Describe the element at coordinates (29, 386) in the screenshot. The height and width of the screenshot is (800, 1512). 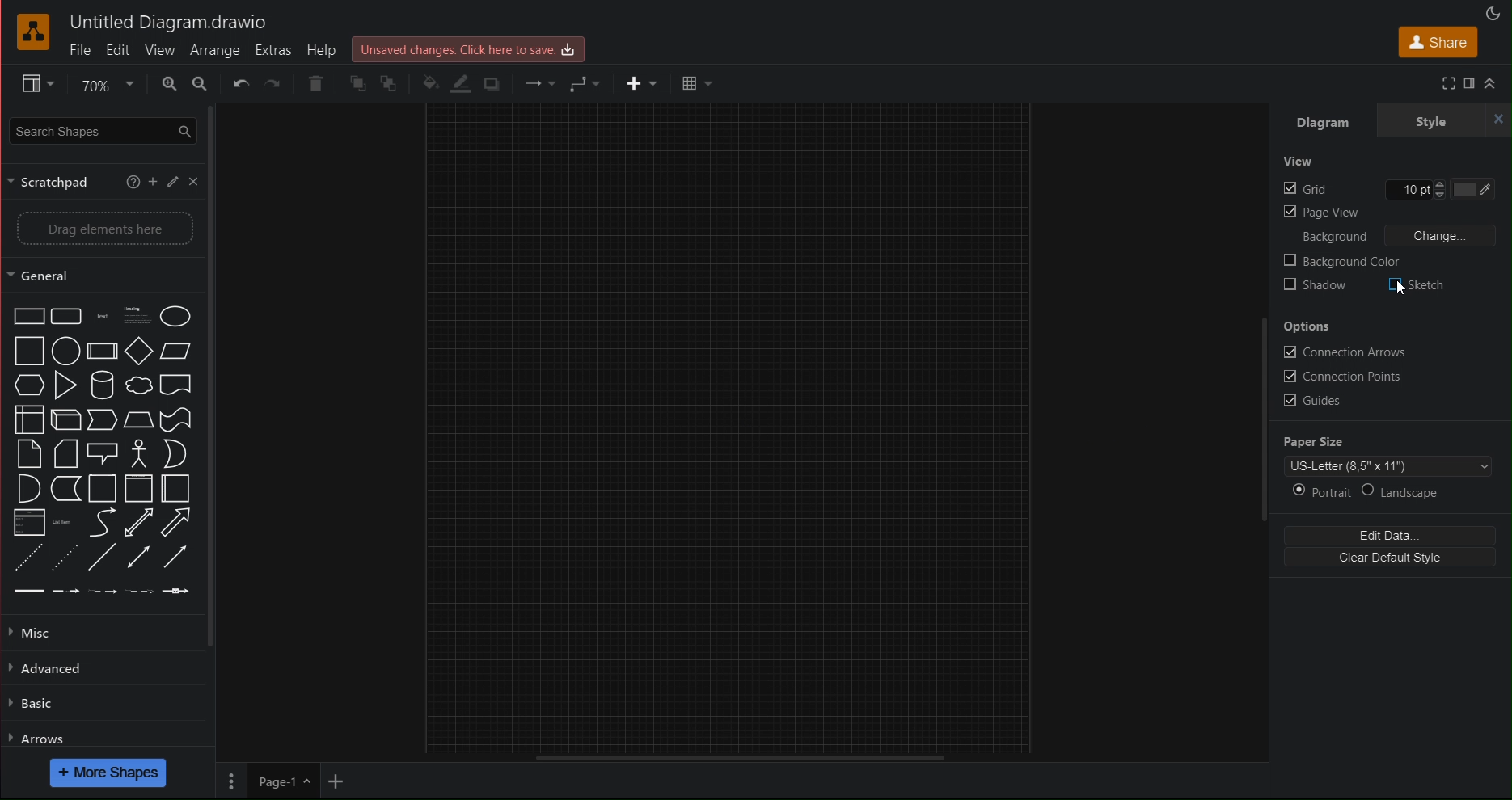
I see `hexagon` at that location.